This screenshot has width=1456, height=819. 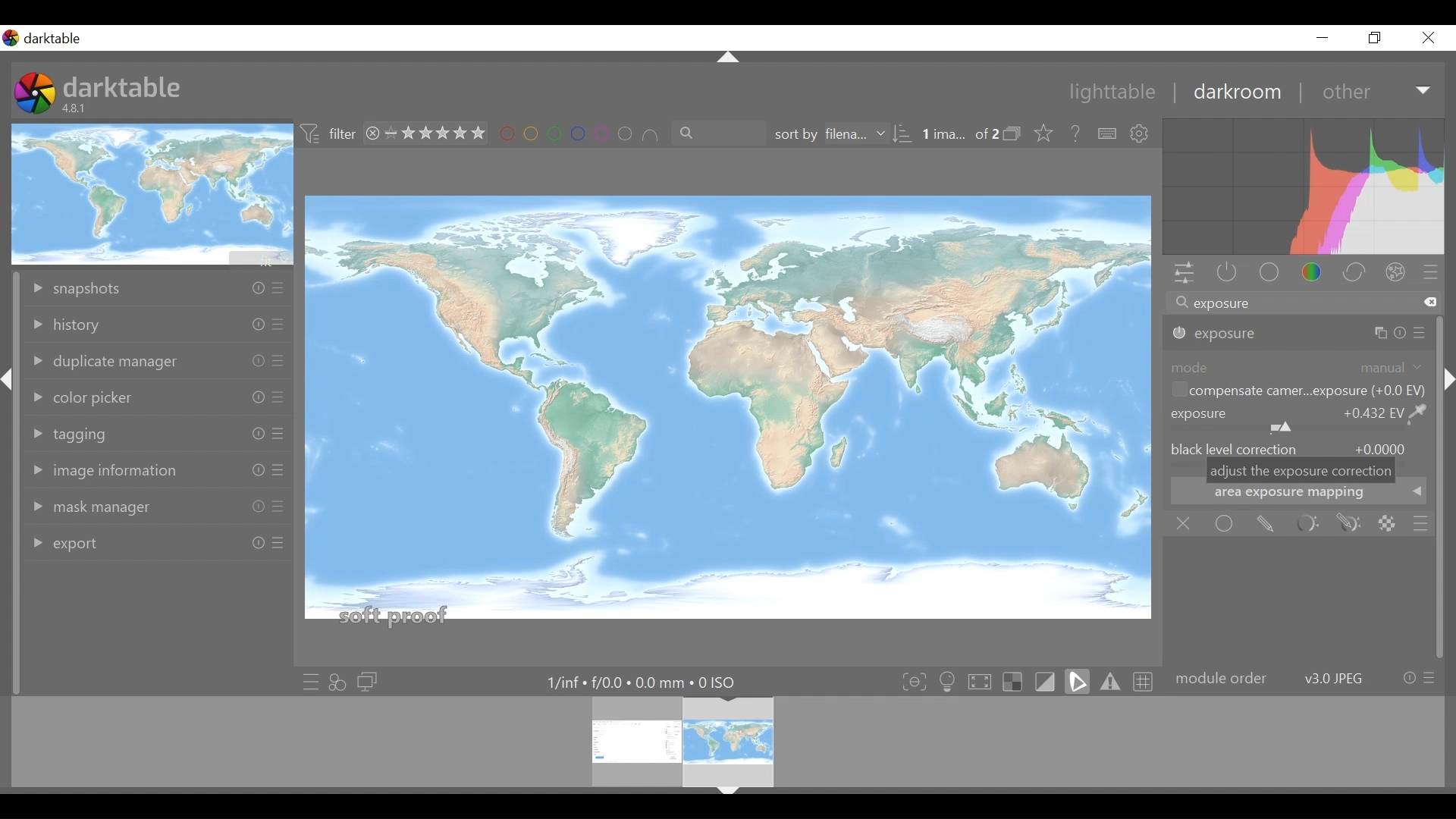 What do you see at coordinates (1377, 91) in the screenshot?
I see `Other` at bounding box center [1377, 91].